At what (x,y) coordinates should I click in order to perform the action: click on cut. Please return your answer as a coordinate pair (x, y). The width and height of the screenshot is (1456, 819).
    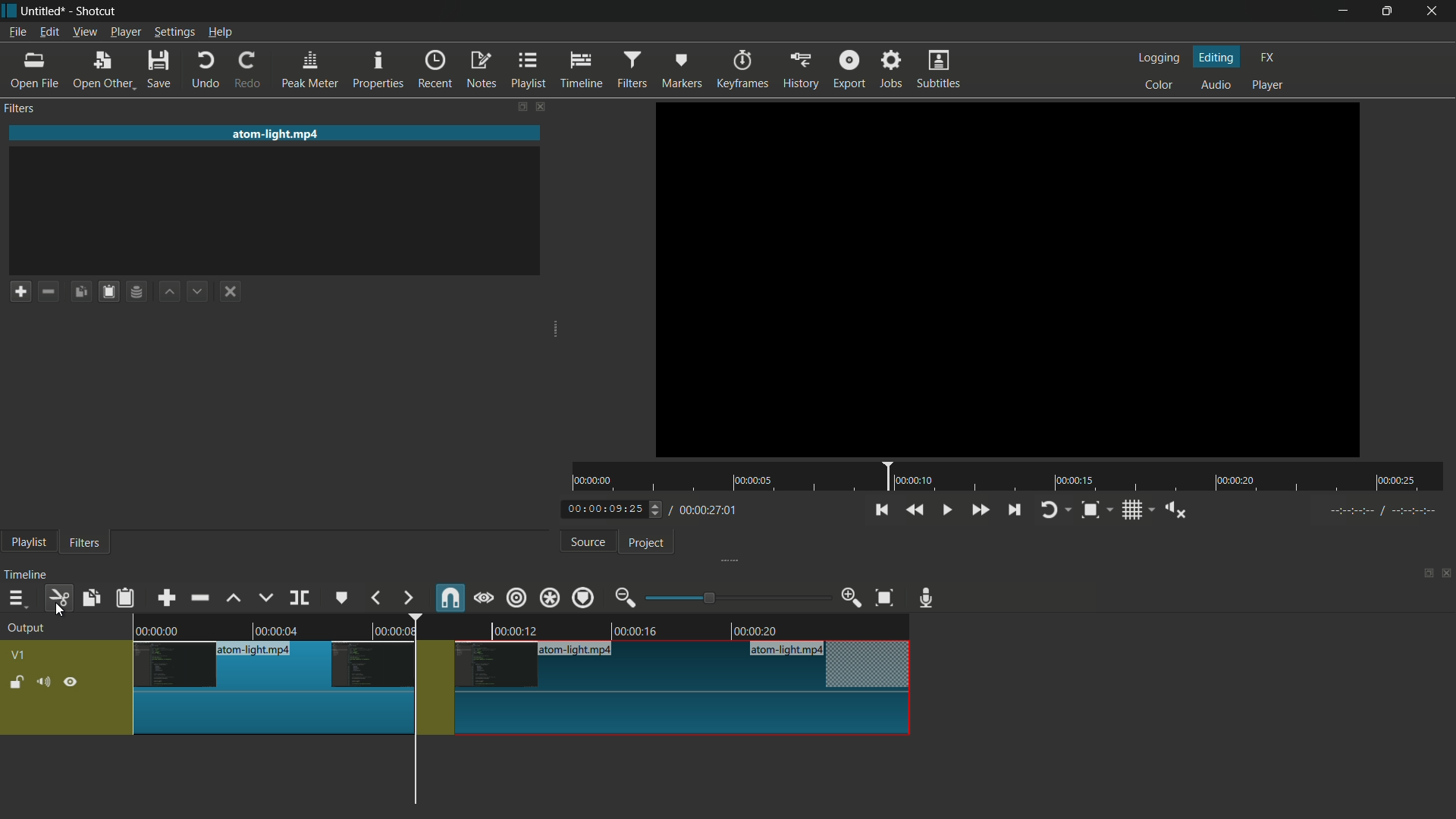
    Looking at the image, I should click on (60, 598).